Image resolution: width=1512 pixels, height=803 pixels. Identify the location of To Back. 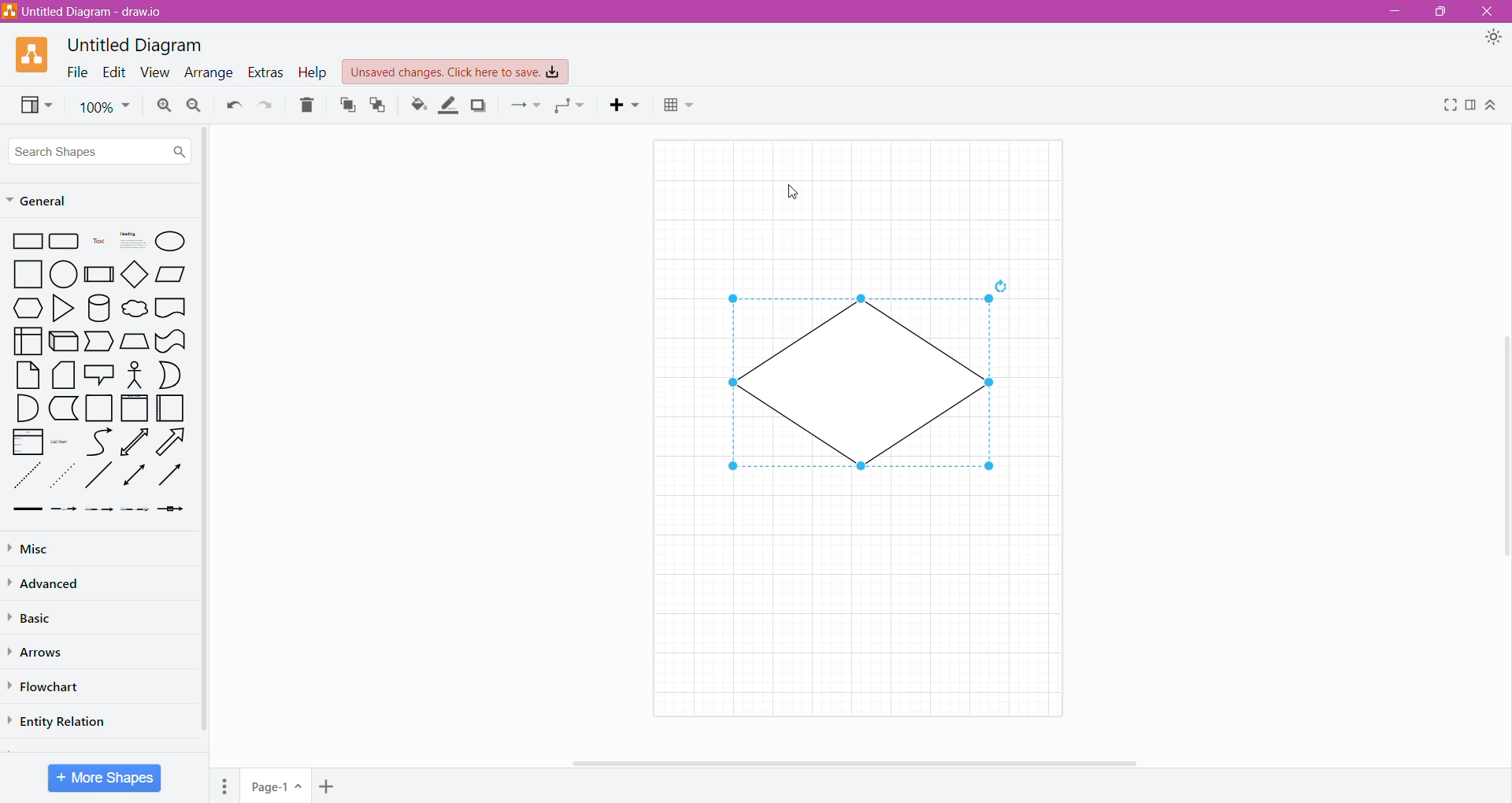
(379, 105).